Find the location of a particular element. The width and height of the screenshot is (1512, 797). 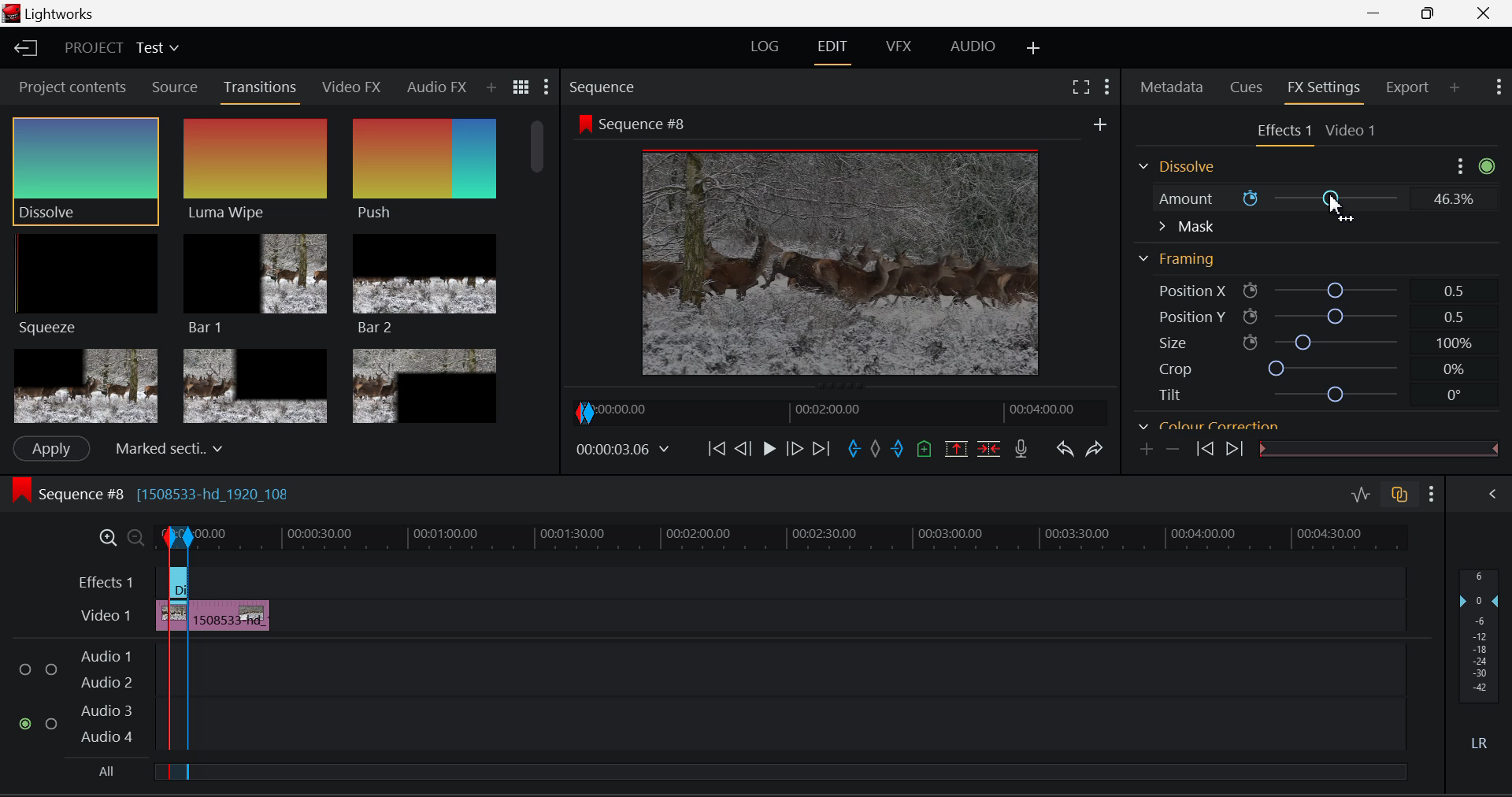

Metadata is located at coordinates (1172, 88).